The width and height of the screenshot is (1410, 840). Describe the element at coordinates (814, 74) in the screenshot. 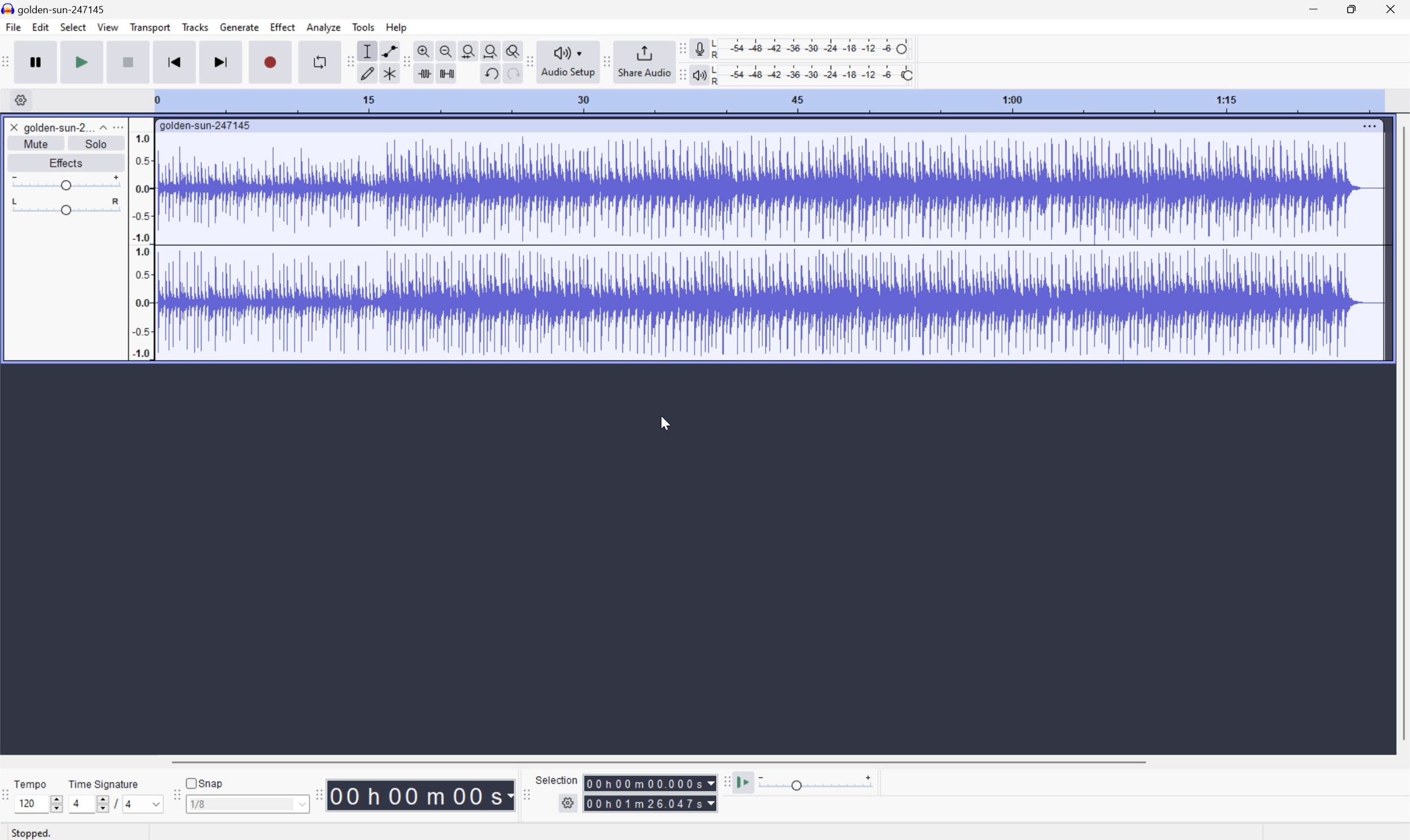

I see `Playback level: 100%` at that location.